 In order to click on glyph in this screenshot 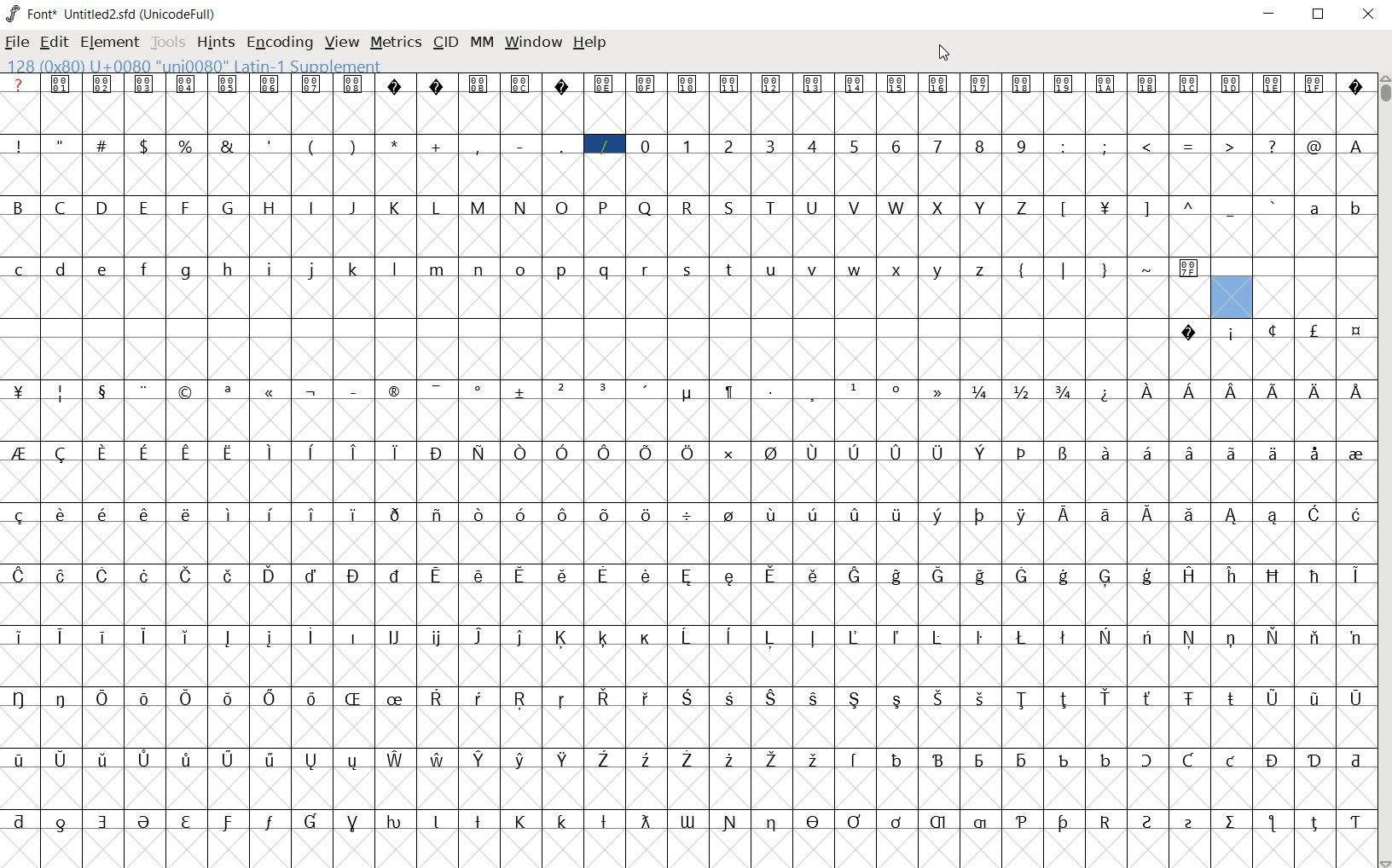, I will do `click(1232, 453)`.